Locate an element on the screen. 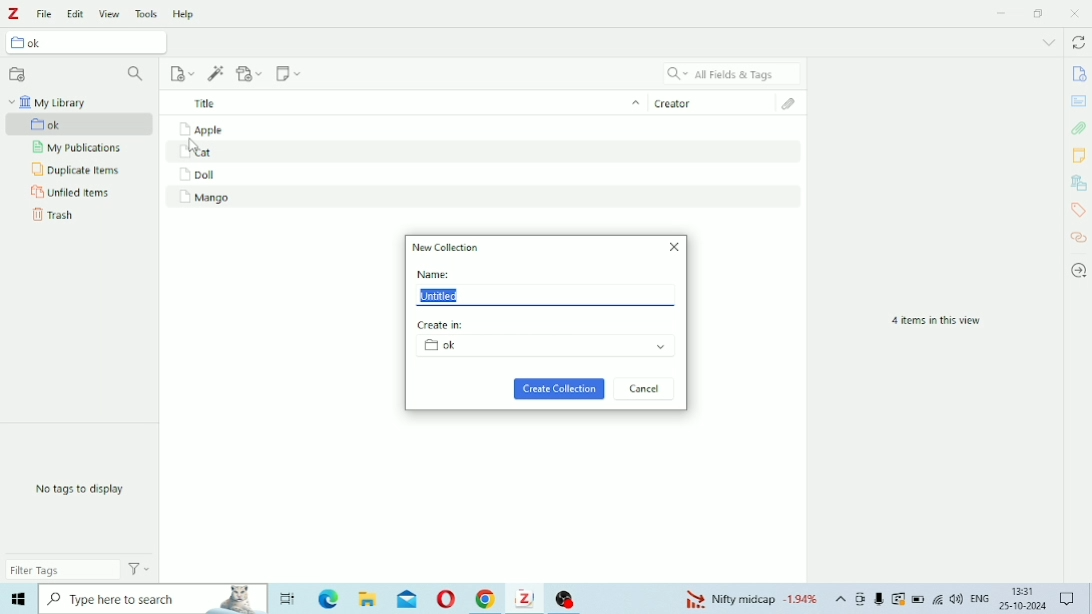  Duplicate Items is located at coordinates (76, 170).